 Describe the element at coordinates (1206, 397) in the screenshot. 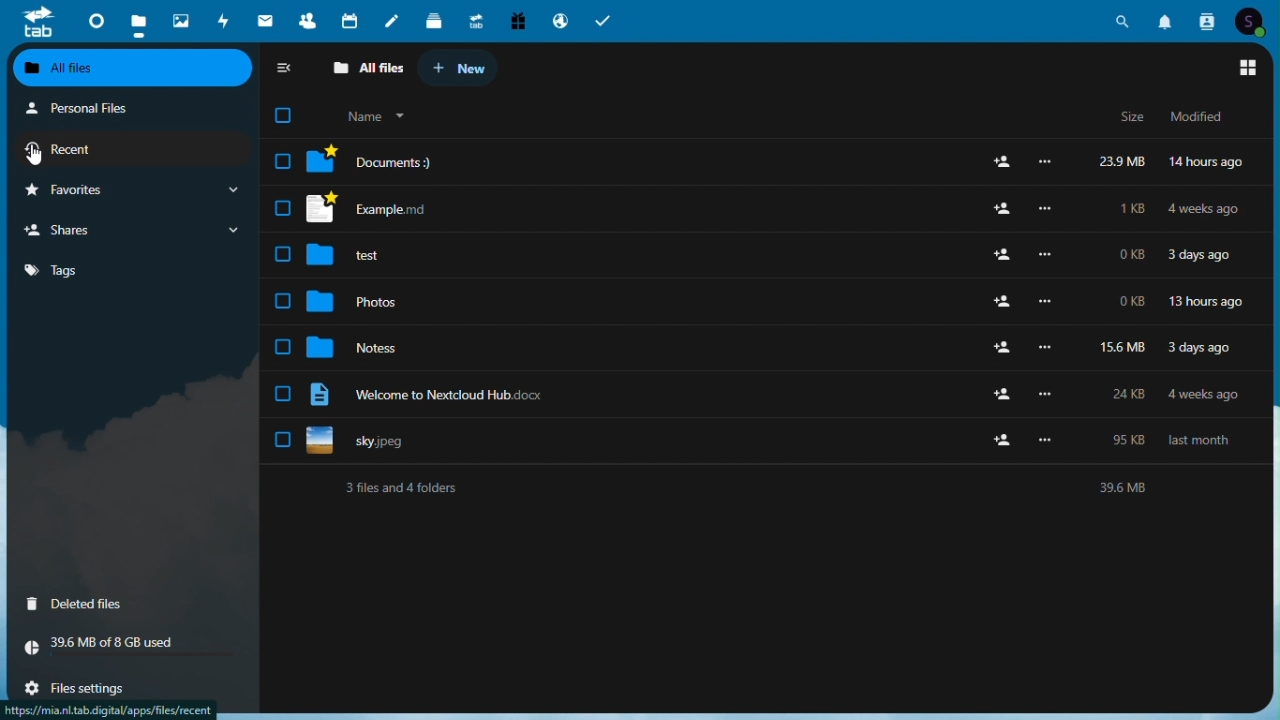

I see `4 weeks ago` at that location.